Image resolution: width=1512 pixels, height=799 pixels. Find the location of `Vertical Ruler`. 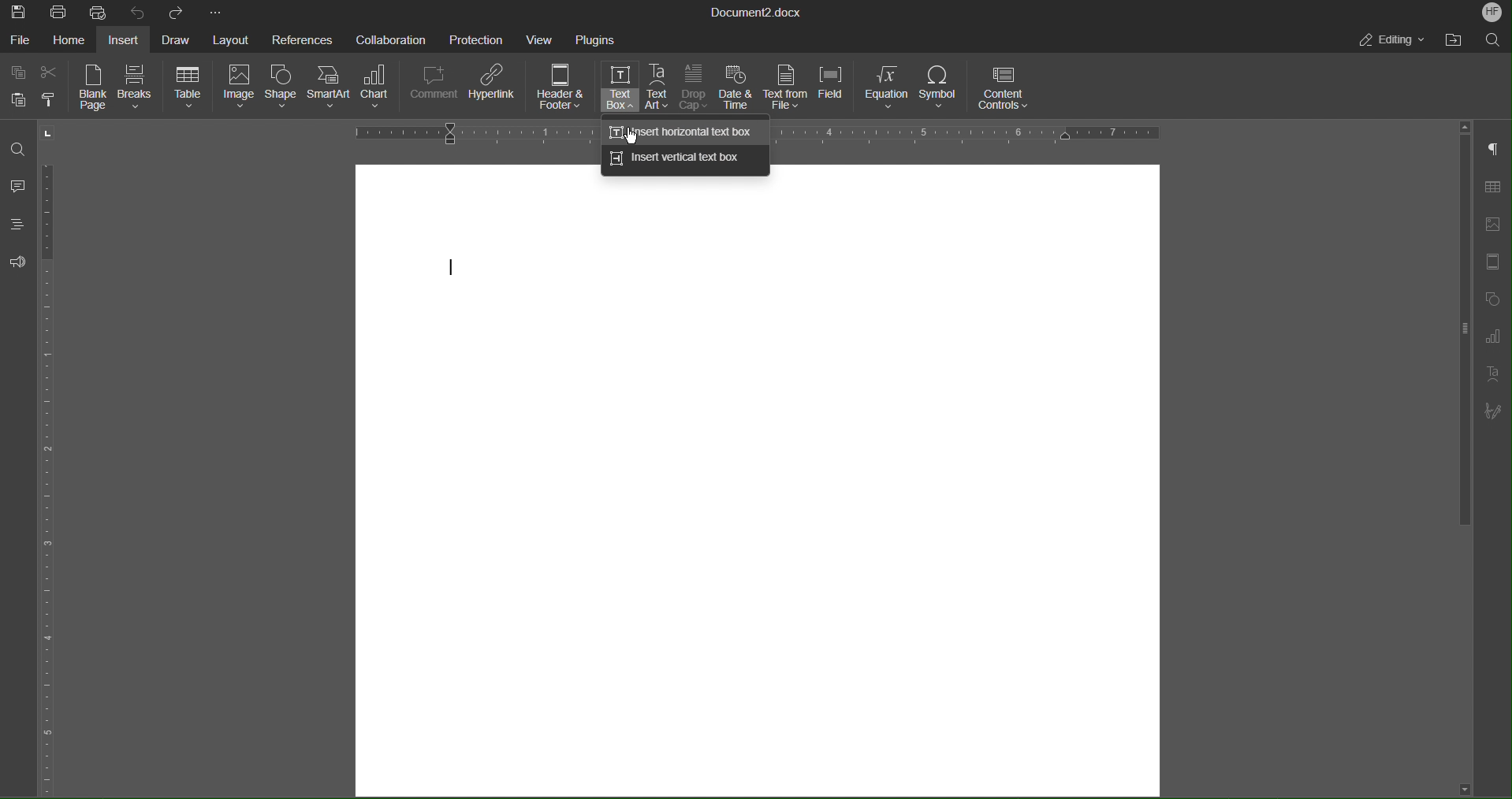

Vertical Ruler is located at coordinates (50, 474).